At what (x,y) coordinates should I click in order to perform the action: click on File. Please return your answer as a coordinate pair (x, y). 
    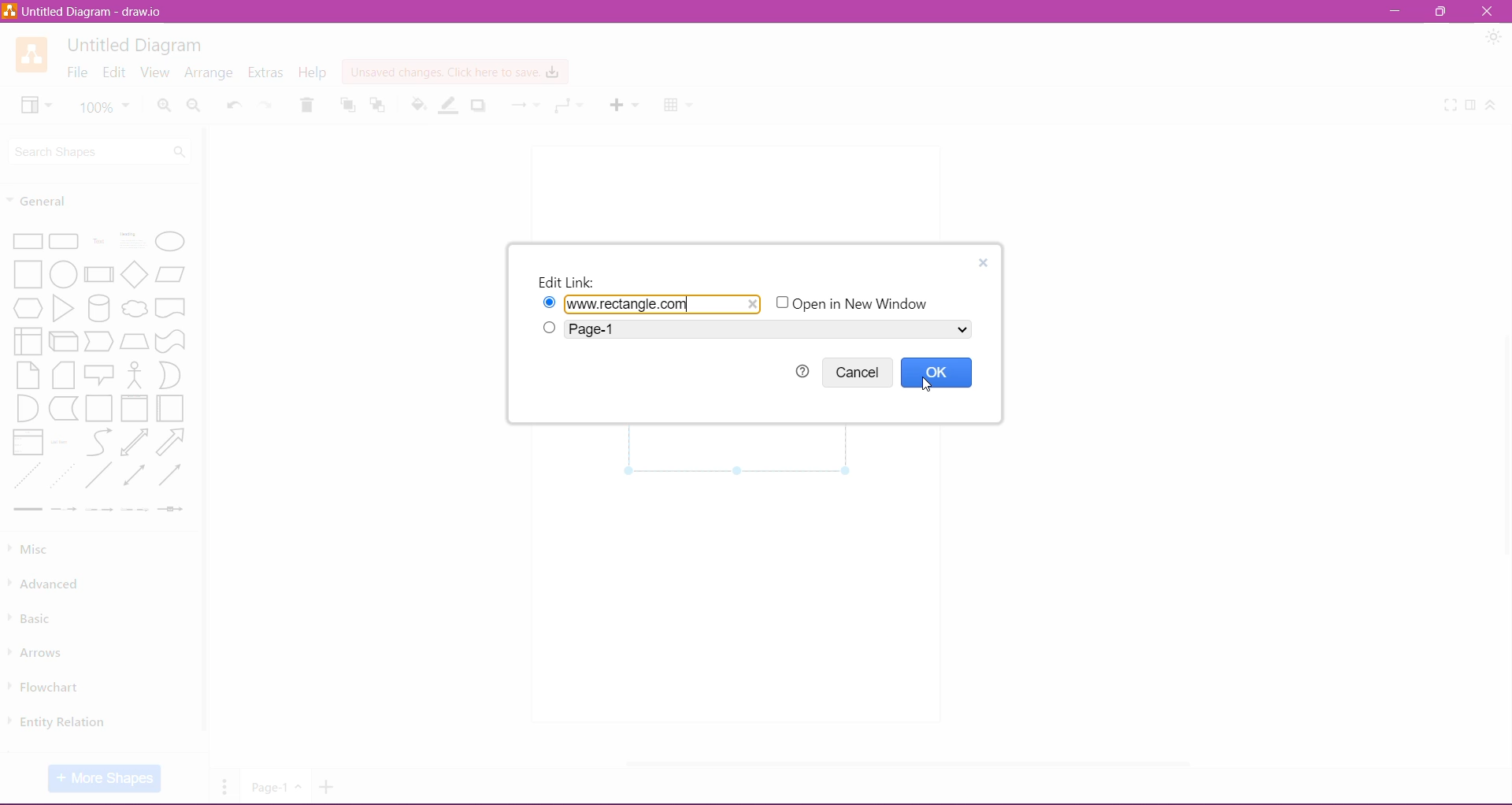
    Looking at the image, I should click on (76, 72).